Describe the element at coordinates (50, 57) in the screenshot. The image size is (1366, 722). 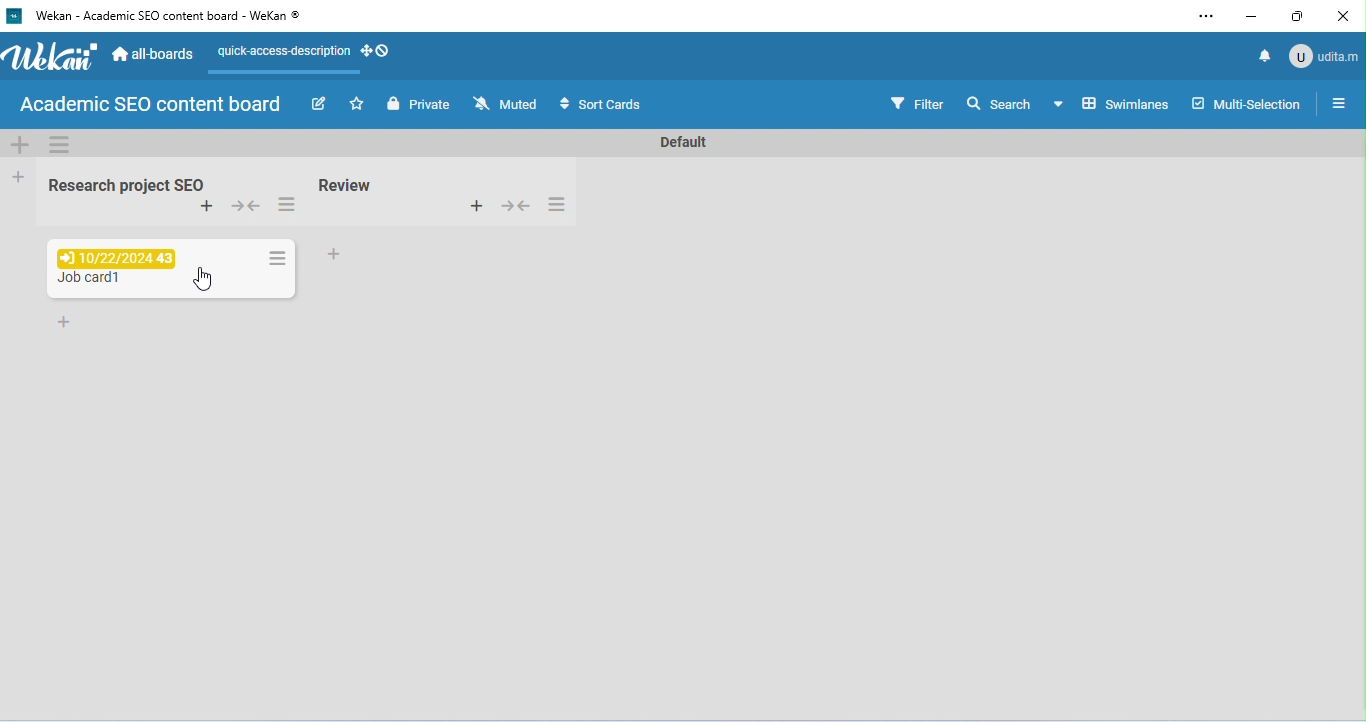
I see `WeKan` at that location.